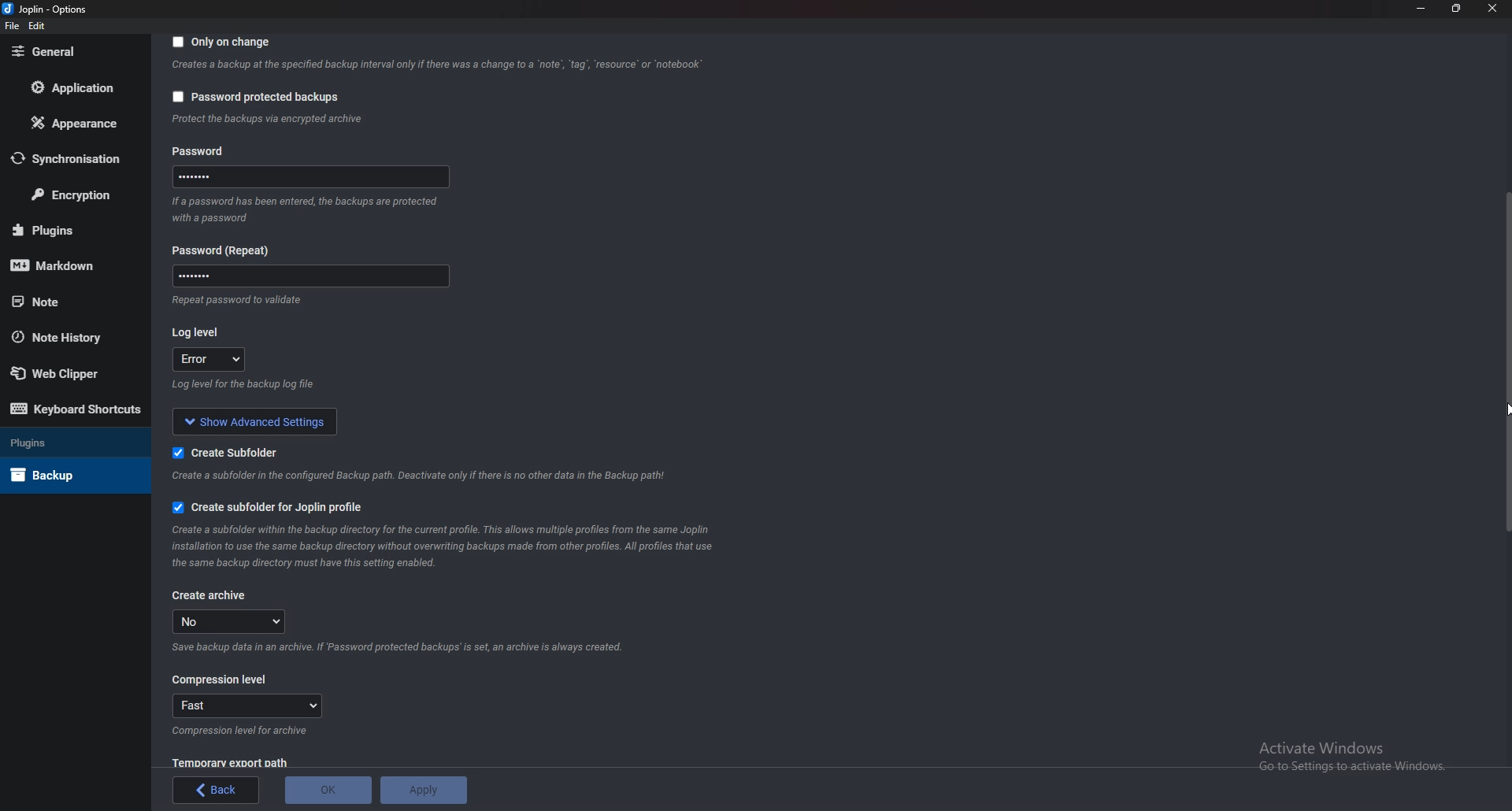 The width and height of the screenshot is (1512, 811). What do you see at coordinates (436, 67) in the screenshot?
I see `Info` at bounding box center [436, 67].